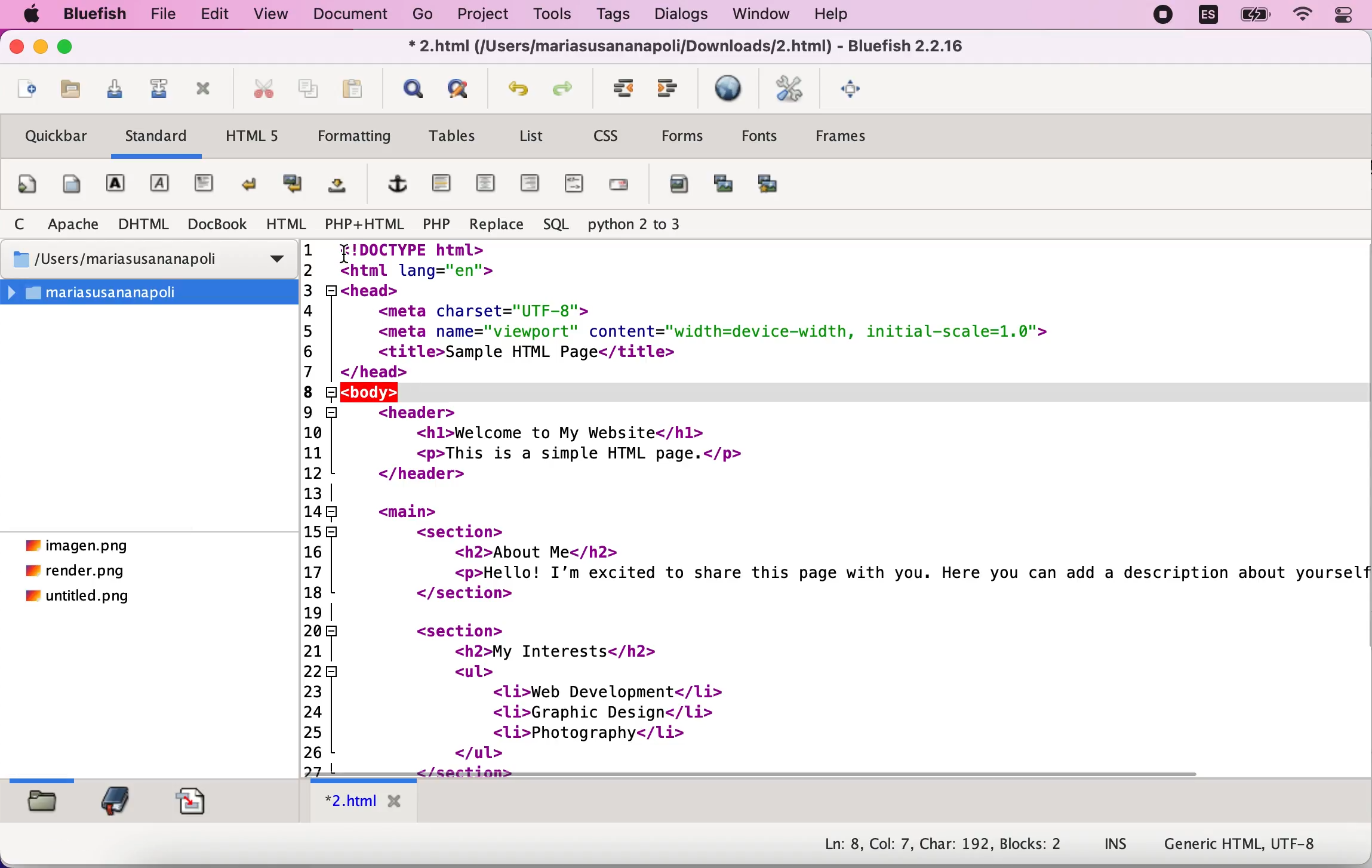 This screenshot has width=1372, height=868. I want to click on indent, so click(672, 90).